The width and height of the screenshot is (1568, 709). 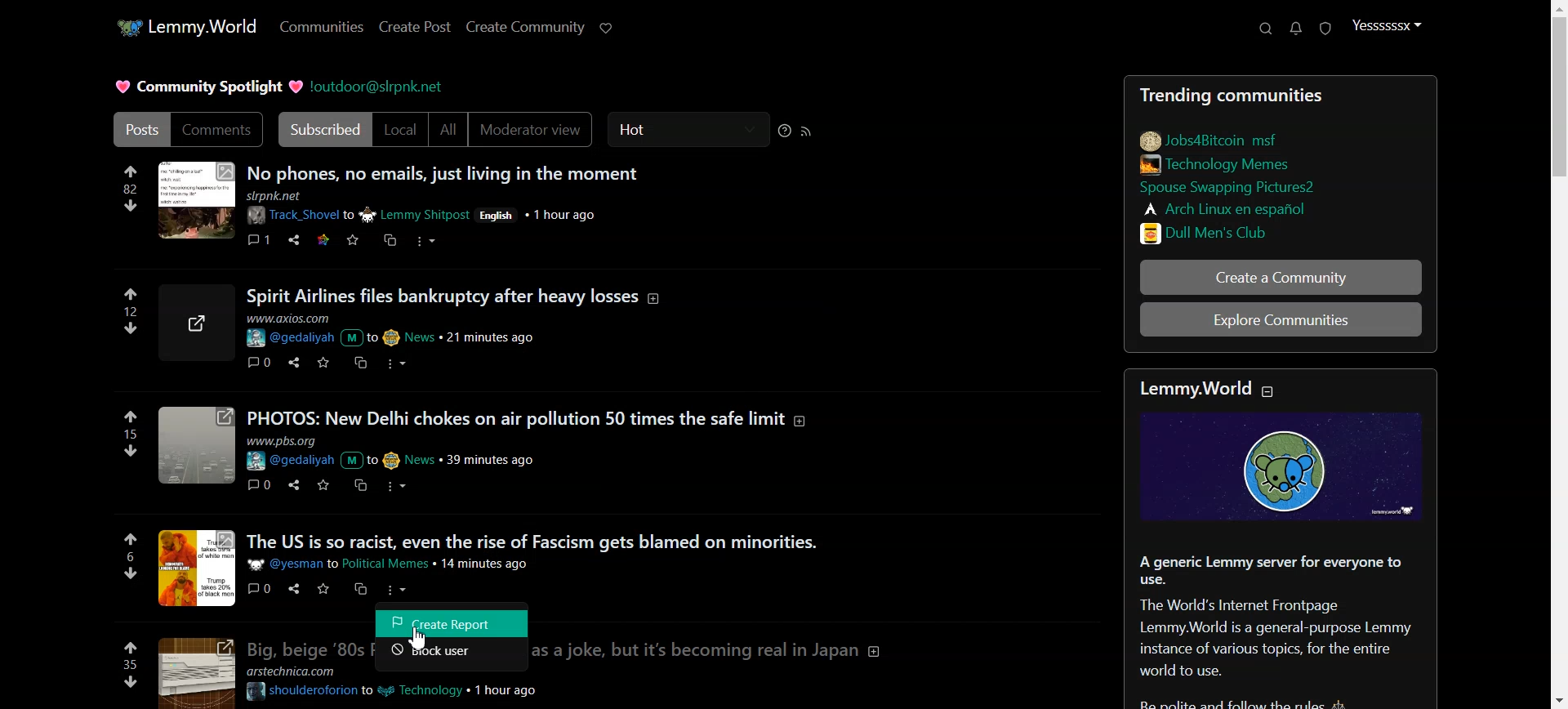 What do you see at coordinates (1281, 277) in the screenshot?
I see `Create a Community` at bounding box center [1281, 277].